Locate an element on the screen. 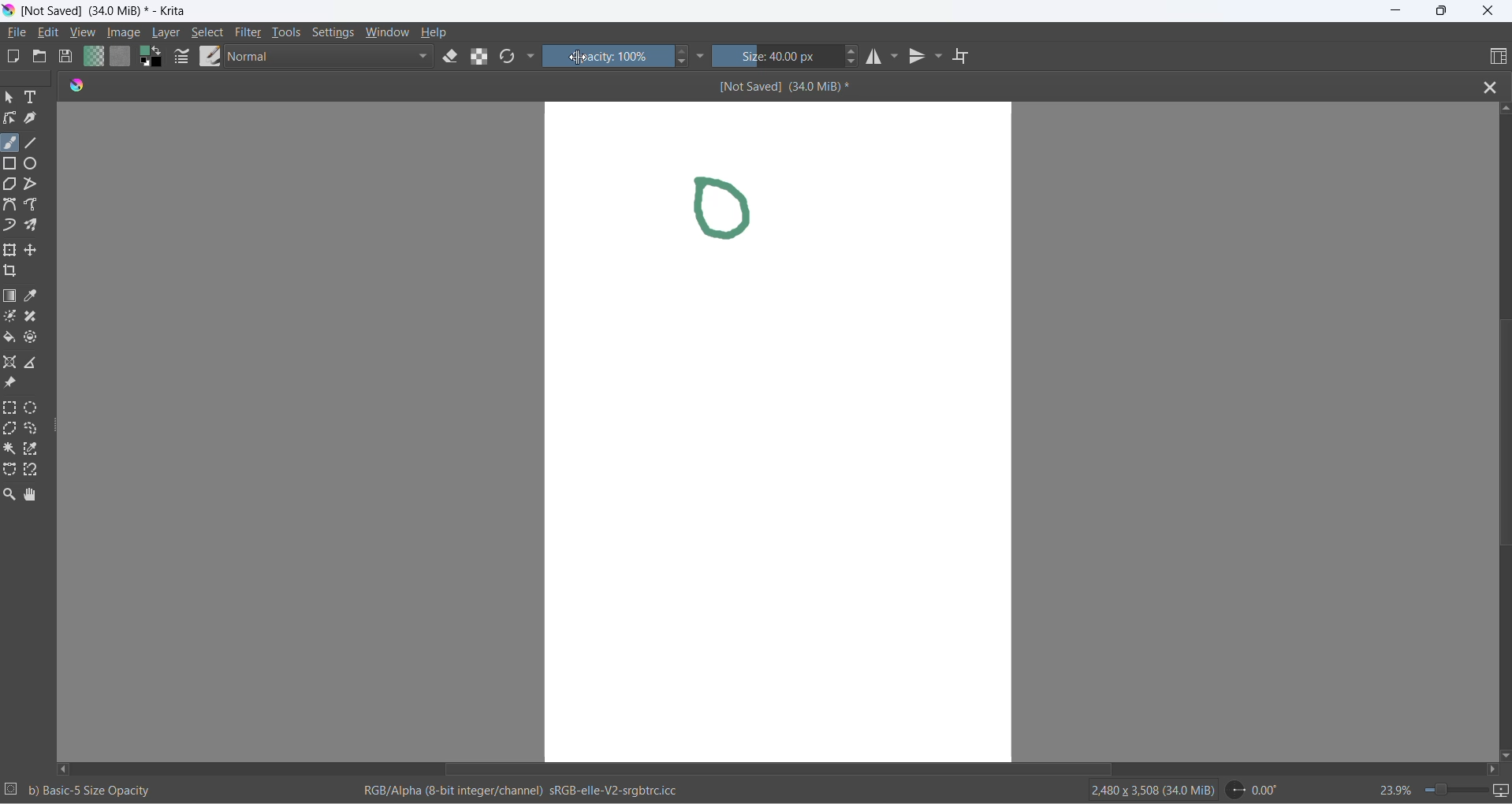  window is located at coordinates (383, 33).